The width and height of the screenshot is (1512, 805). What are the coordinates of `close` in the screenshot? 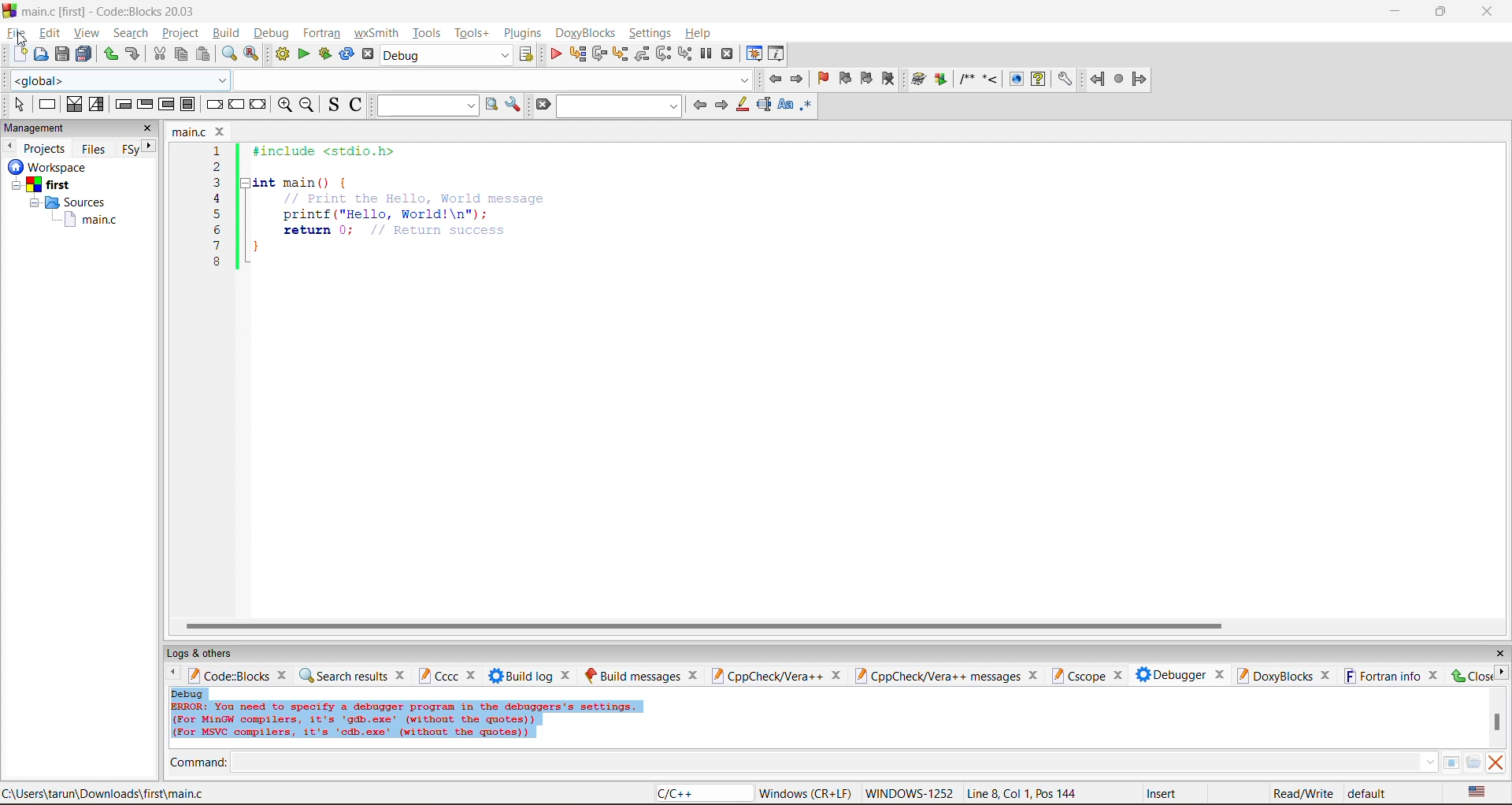 It's located at (1326, 676).